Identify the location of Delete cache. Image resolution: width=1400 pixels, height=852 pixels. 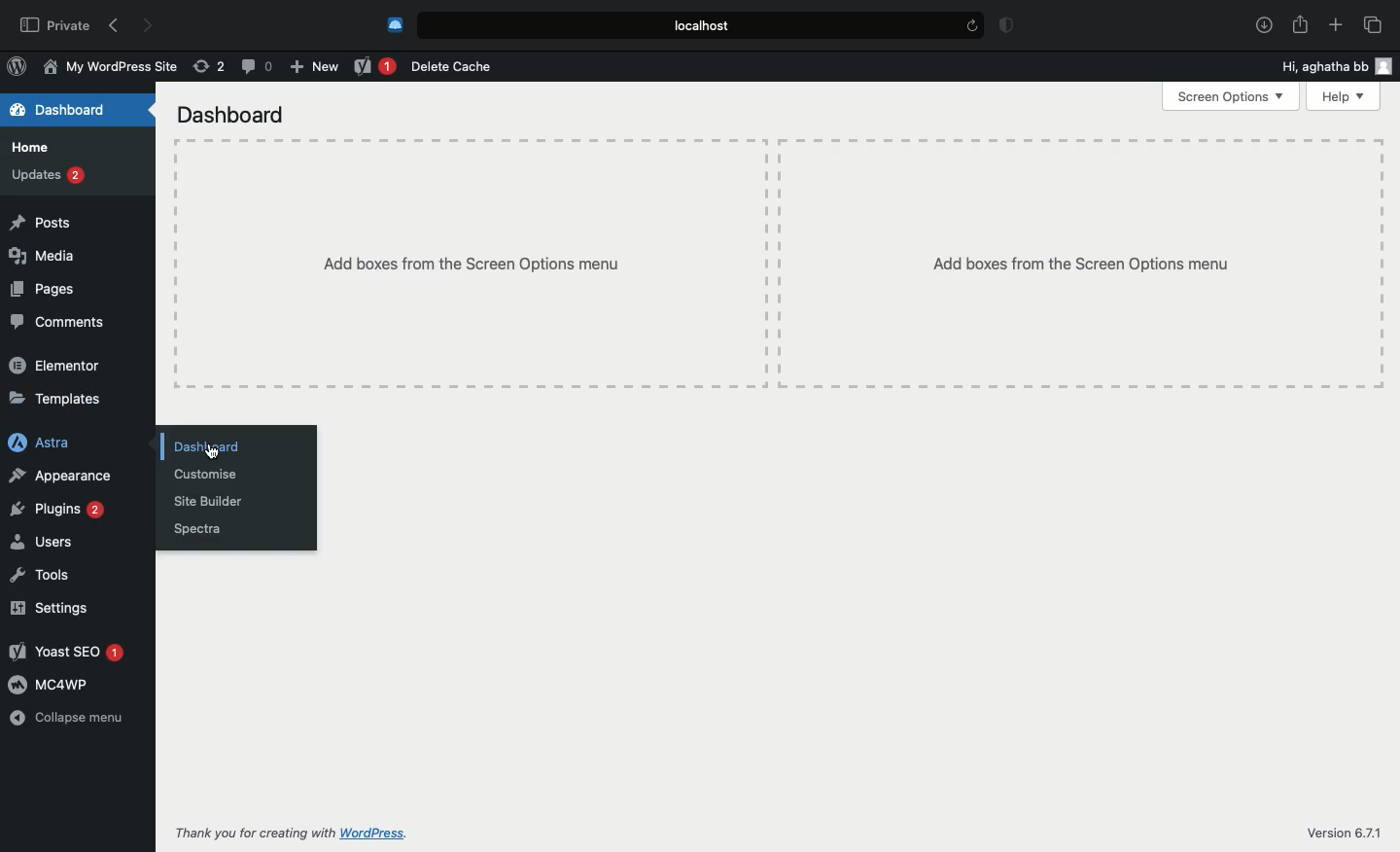
(449, 66).